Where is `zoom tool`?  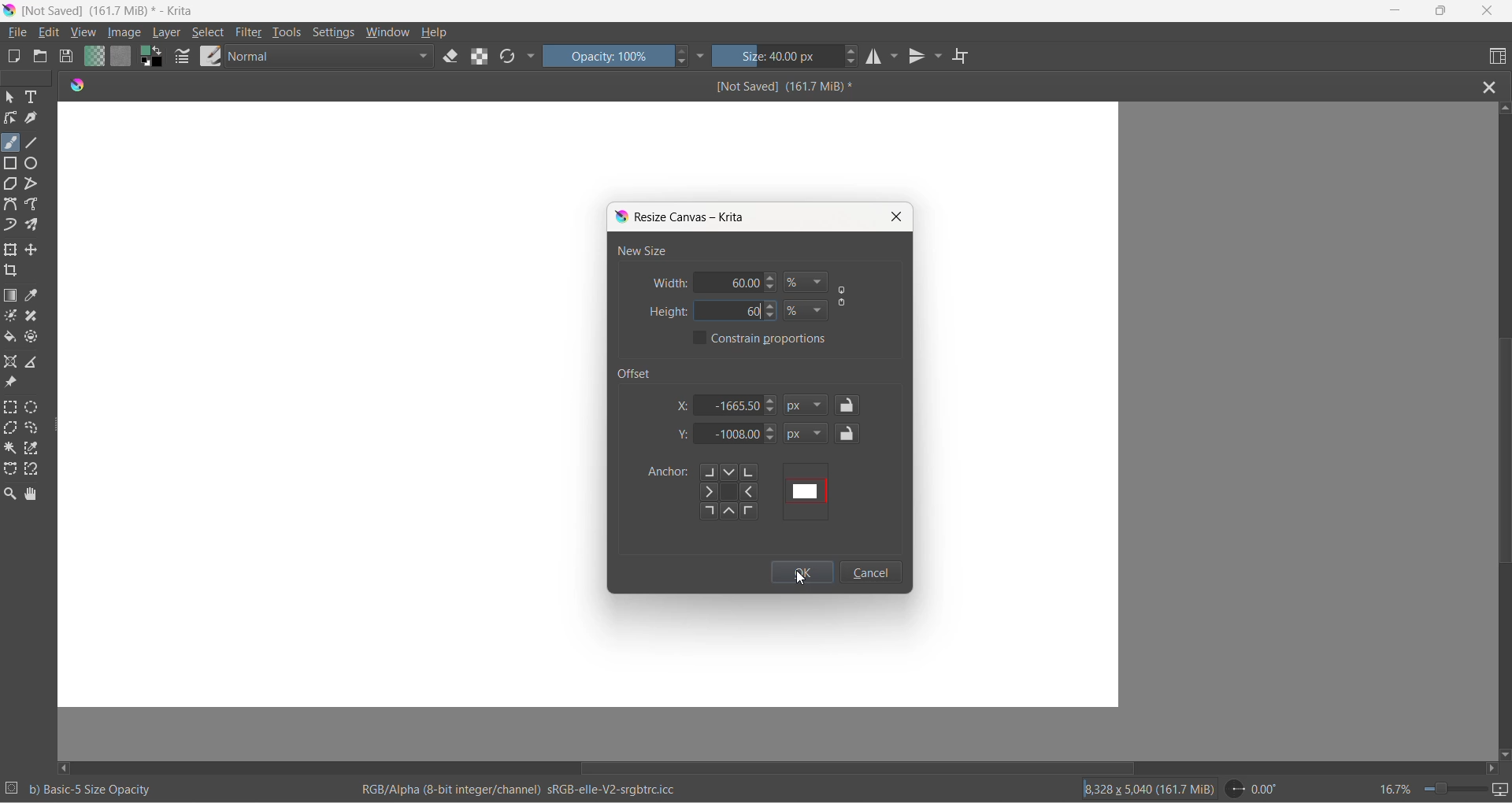
zoom tool is located at coordinates (13, 494).